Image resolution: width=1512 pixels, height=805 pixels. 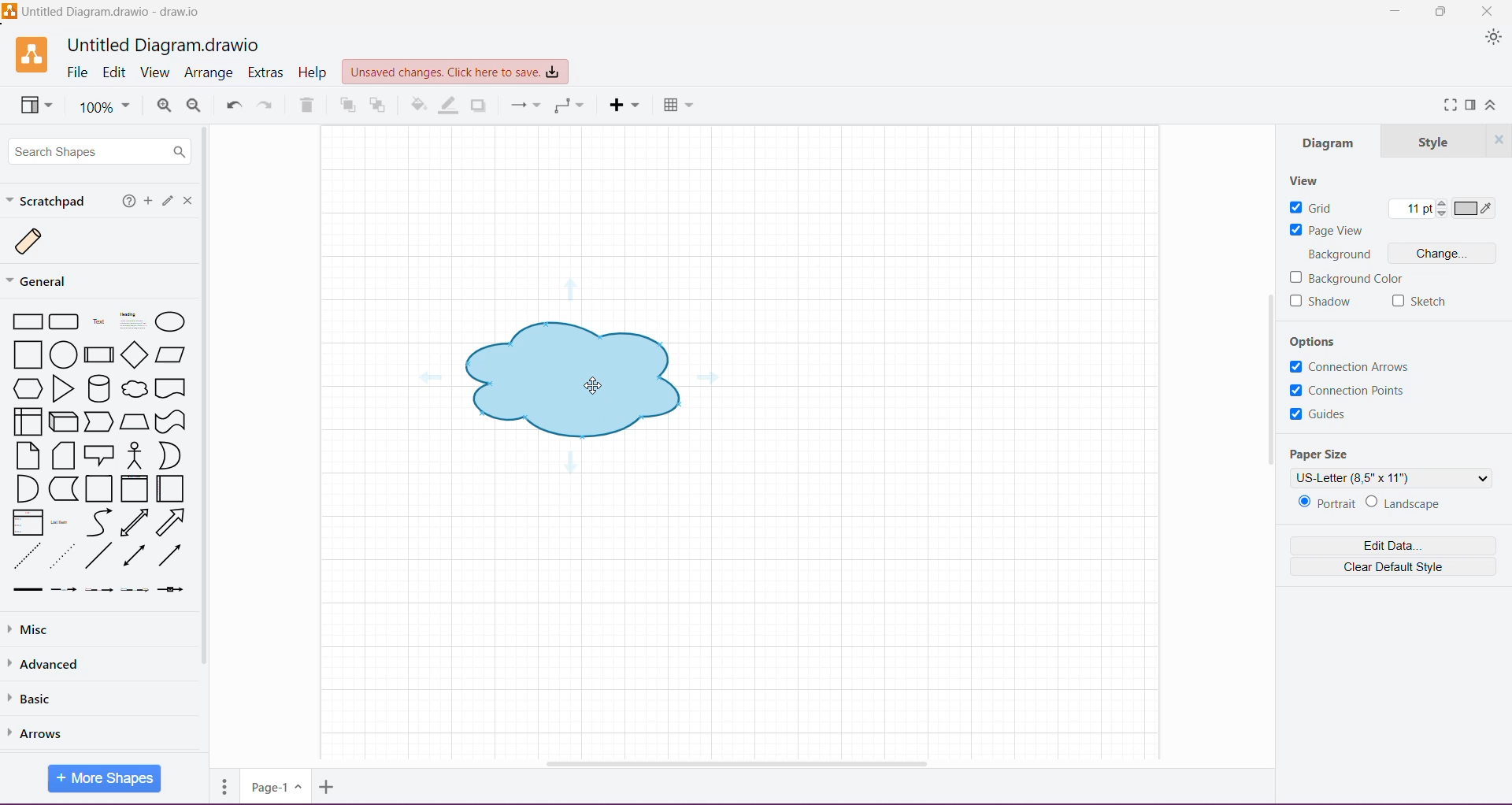 What do you see at coordinates (1347, 277) in the screenshot?
I see `Background color` at bounding box center [1347, 277].